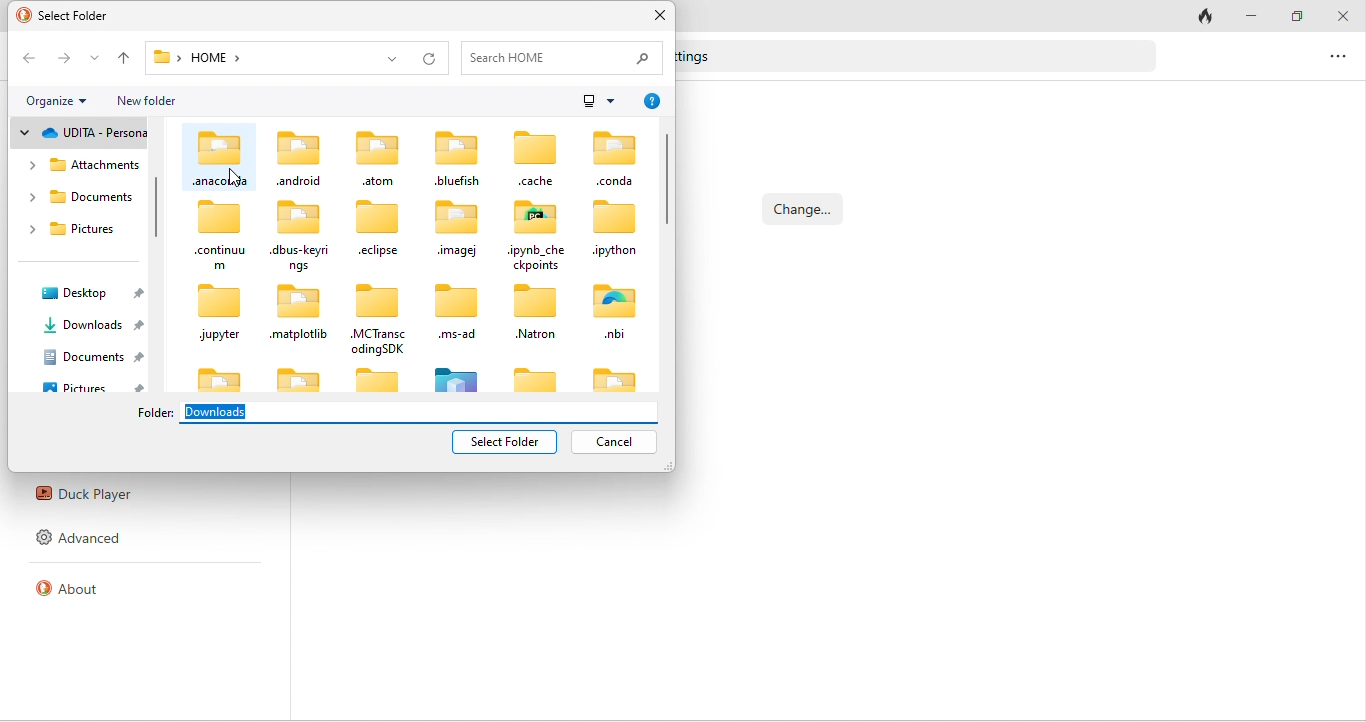 This screenshot has width=1366, height=722. Describe the element at coordinates (74, 231) in the screenshot. I see `pictures` at that location.